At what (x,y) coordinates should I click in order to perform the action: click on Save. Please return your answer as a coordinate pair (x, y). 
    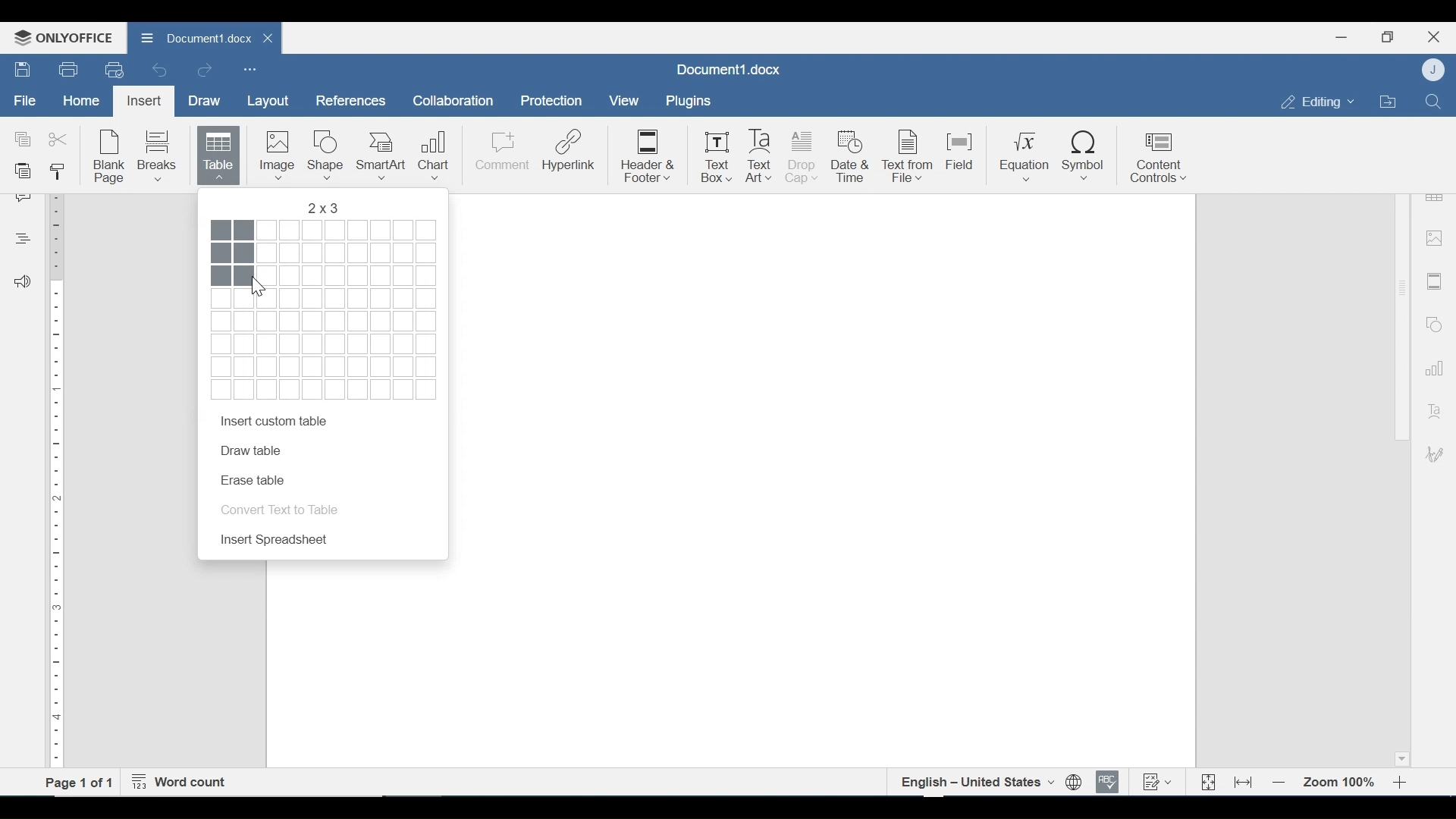
    Looking at the image, I should click on (24, 70).